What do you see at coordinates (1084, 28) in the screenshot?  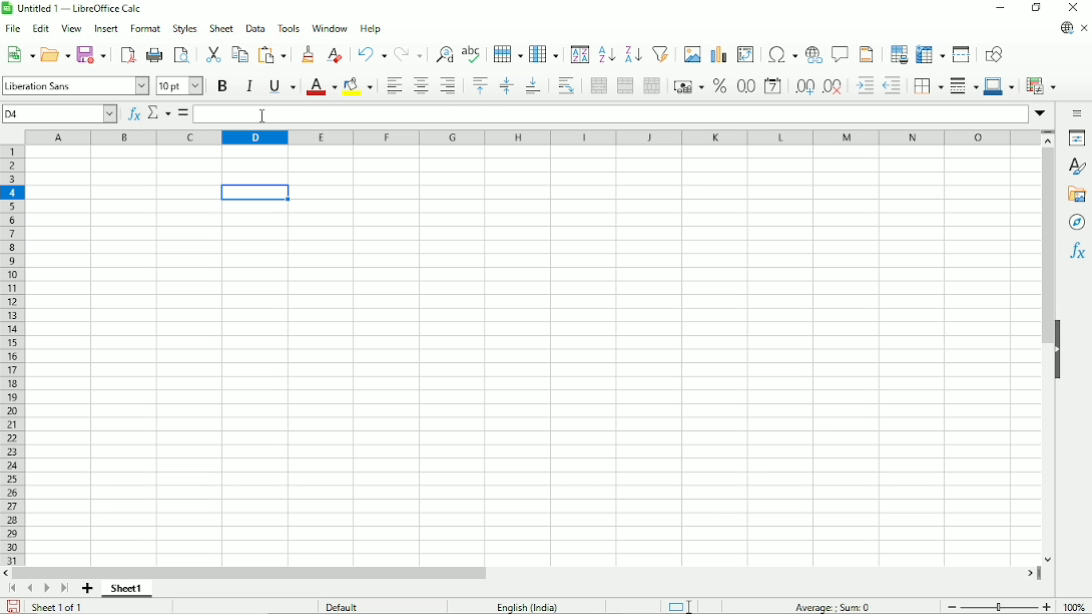 I see `Close document` at bounding box center [1084, 28].